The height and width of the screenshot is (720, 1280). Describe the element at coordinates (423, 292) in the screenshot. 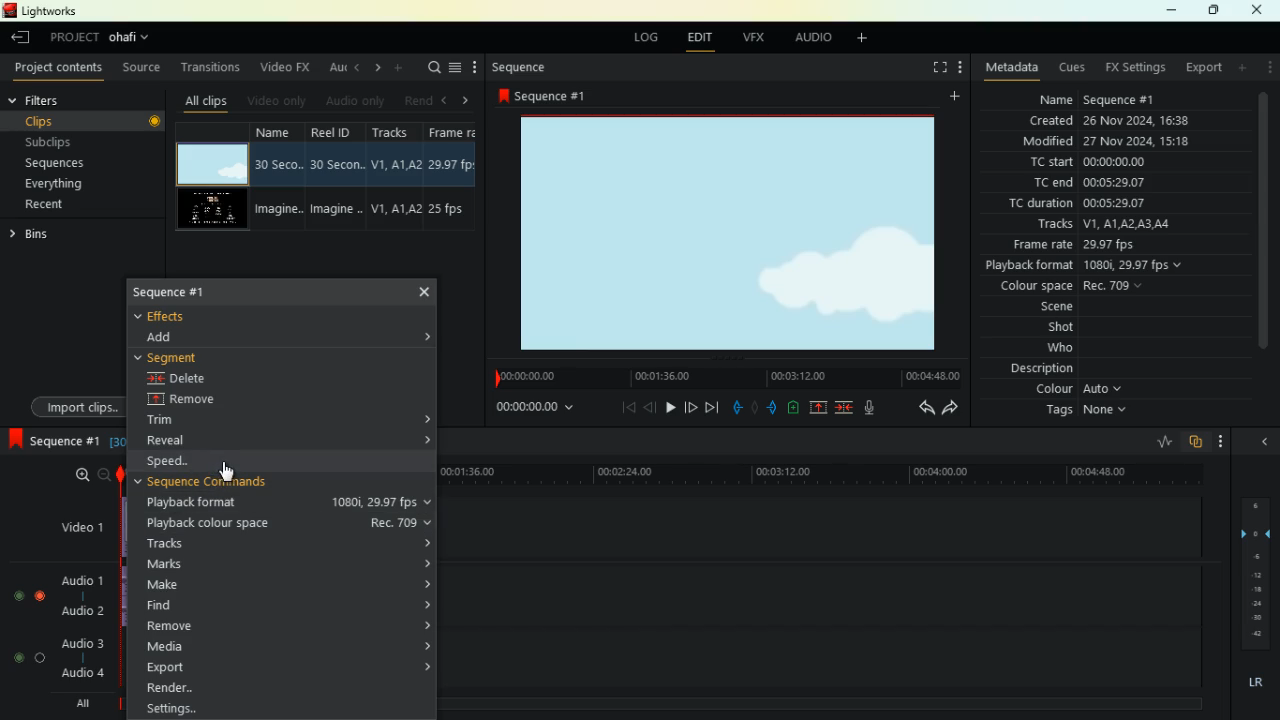

I see `Close` at that location.